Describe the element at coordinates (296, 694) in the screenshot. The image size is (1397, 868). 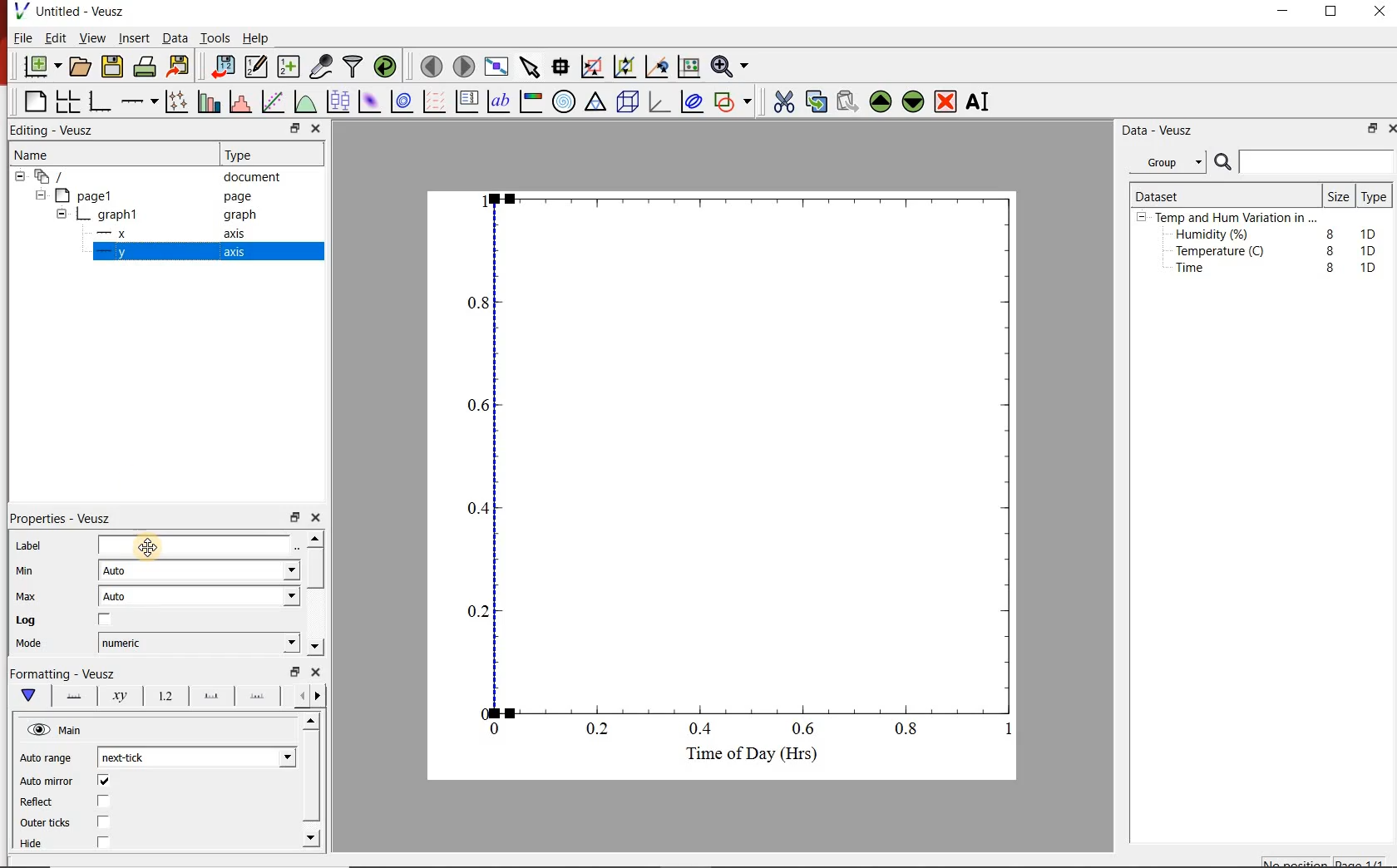
I see `go back` at that location.